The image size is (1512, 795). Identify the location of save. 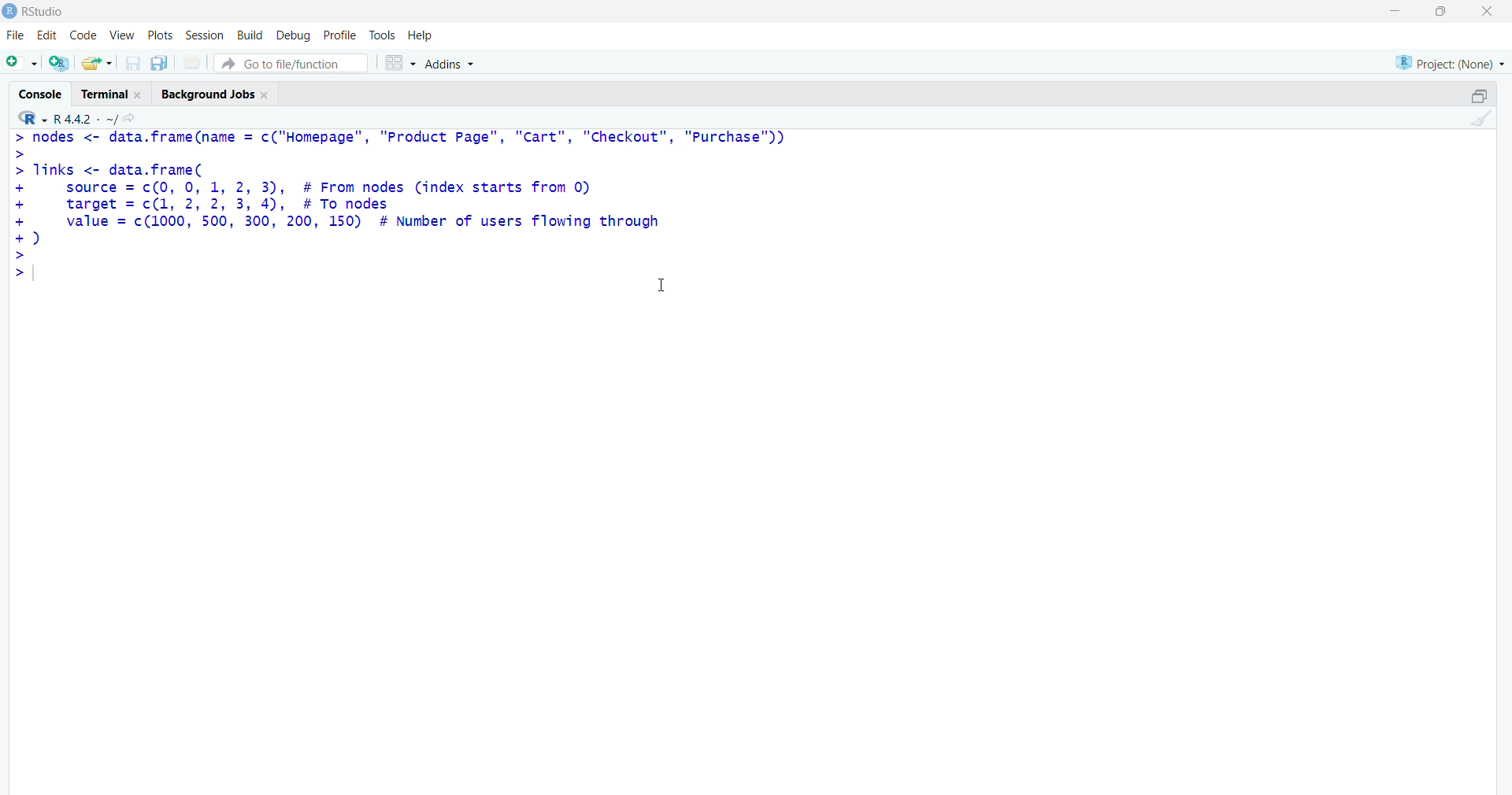
(131, 64).